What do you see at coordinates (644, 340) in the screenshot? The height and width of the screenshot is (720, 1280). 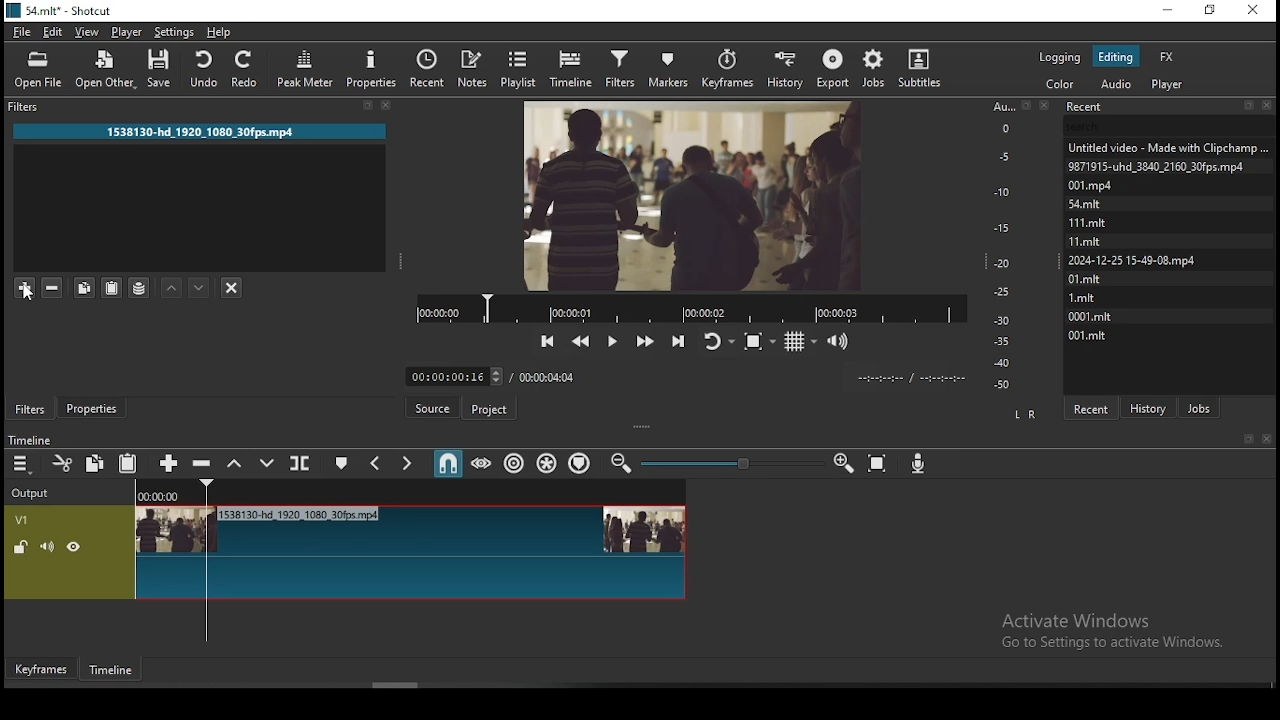 I see `play quickly forwards` at bounding box center [644, 340].